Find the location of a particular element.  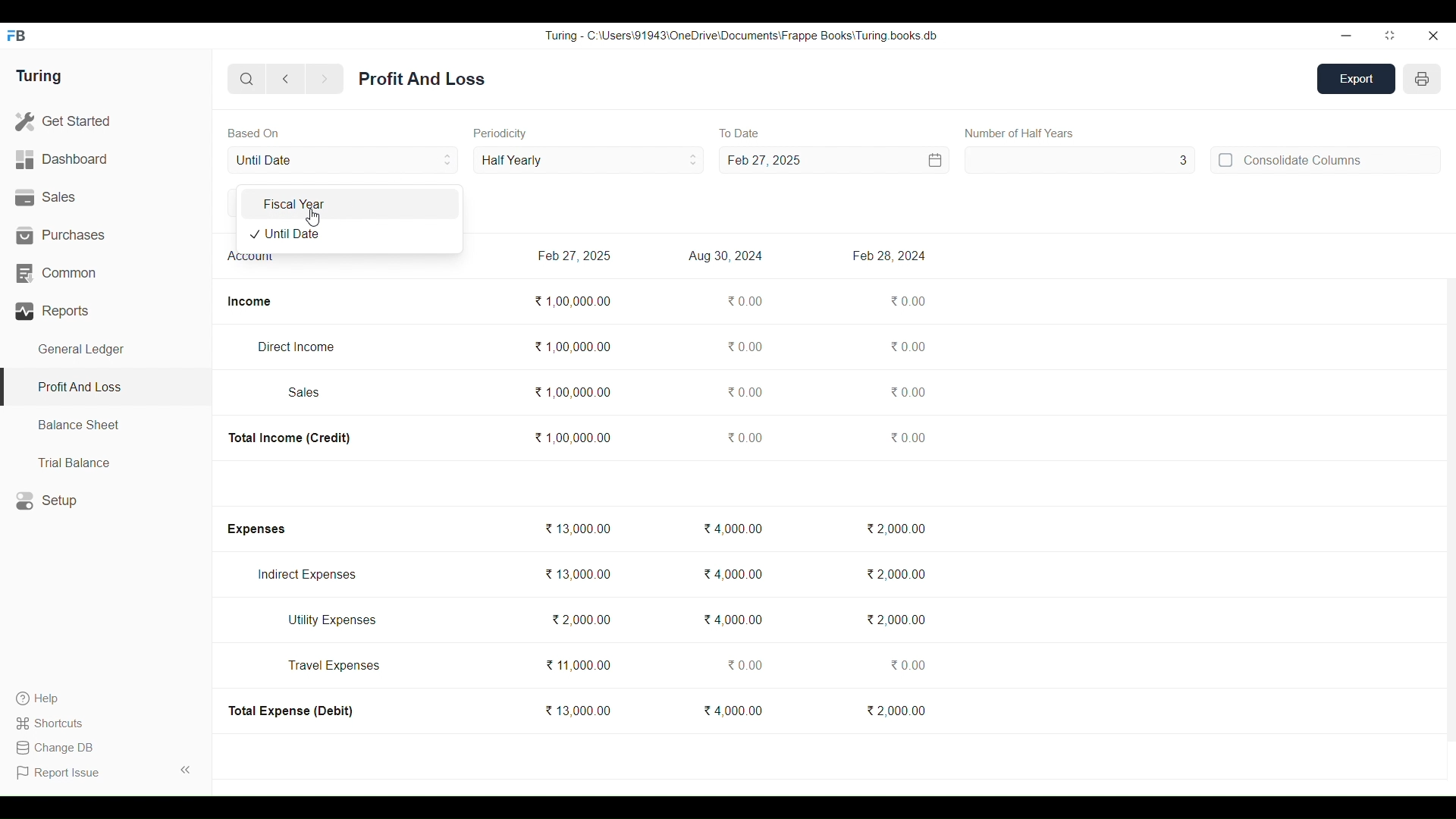

Setup is located at coordinates (106, 500).